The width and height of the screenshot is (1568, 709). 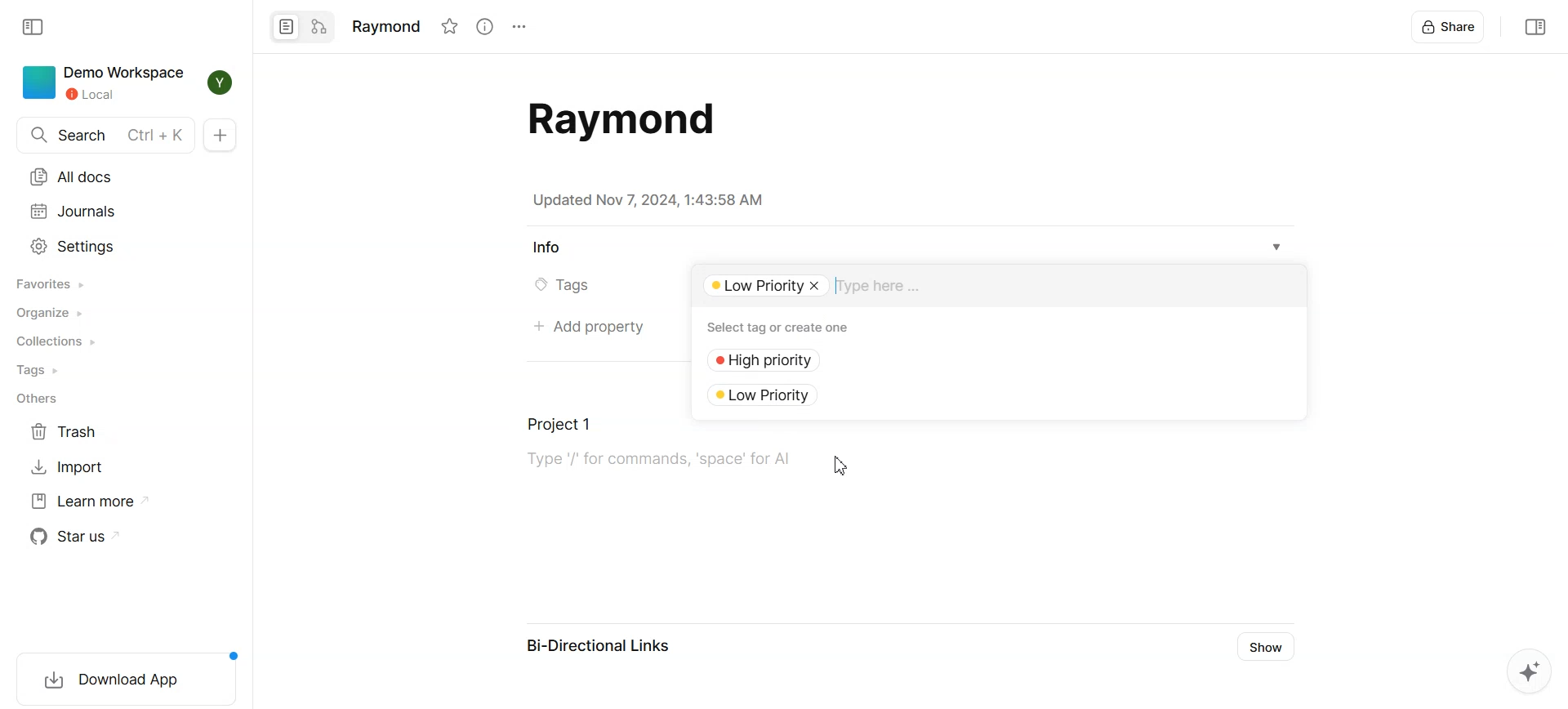 I want to click on Cursor, so click(x=843, y=466).